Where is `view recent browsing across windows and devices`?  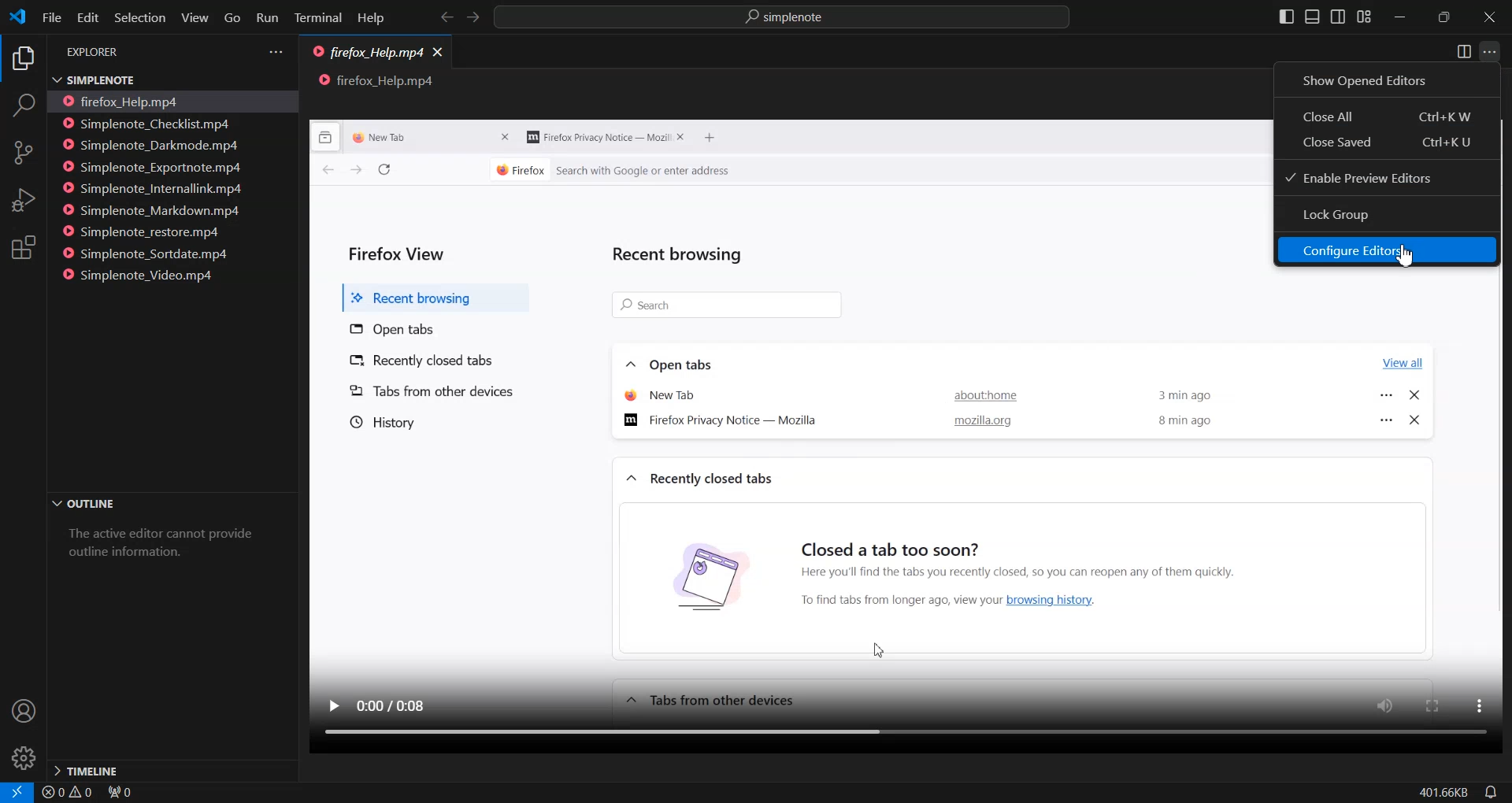
view recent browsing across windows and devices is located at coordinates (326, 137).